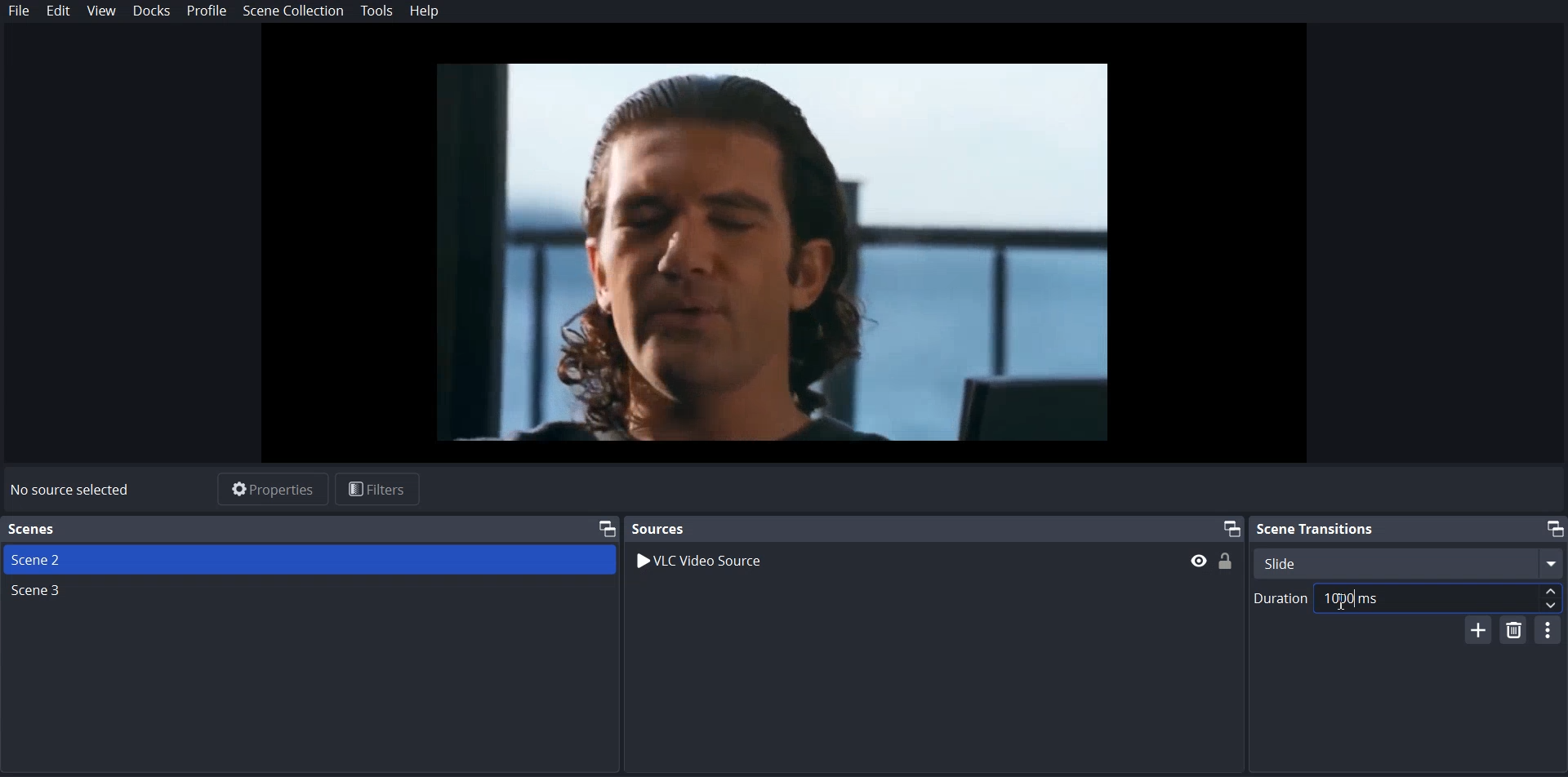  I want to click on No source selected, so click(71, 491).